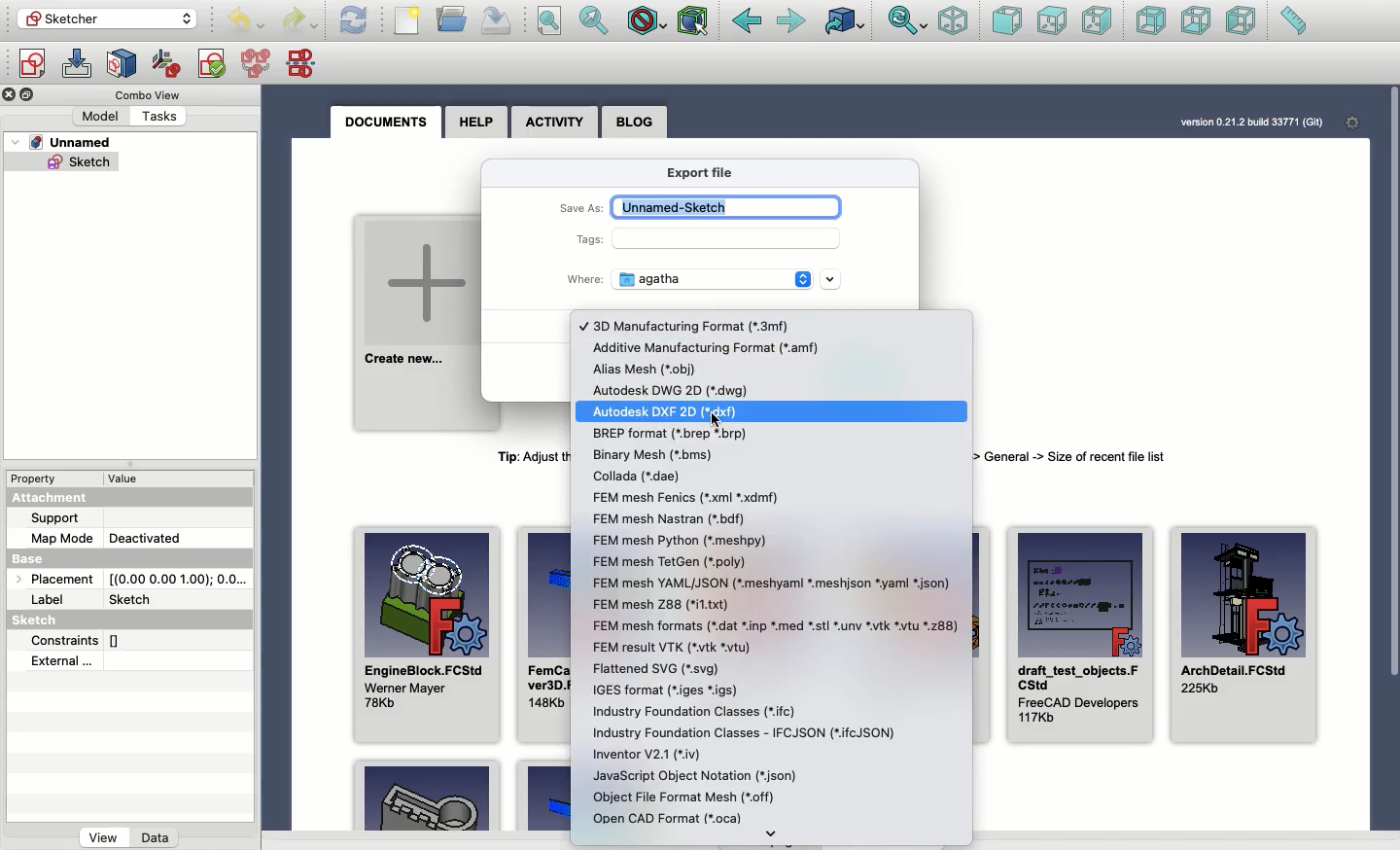  I want to click on Forward, so click(794, 24).